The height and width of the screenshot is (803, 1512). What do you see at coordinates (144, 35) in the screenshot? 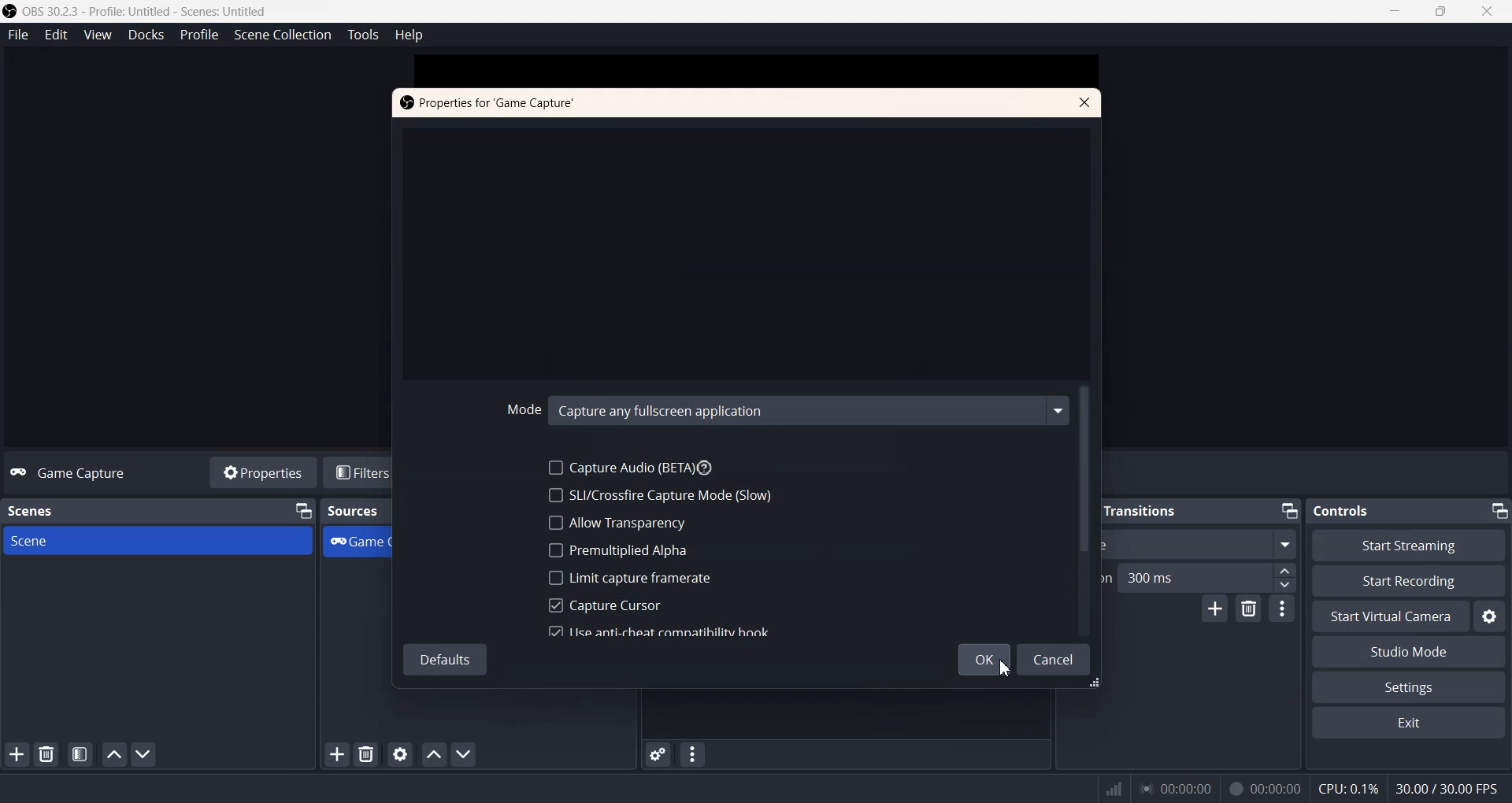
I see `Docks` at bounding box center [144, 35].